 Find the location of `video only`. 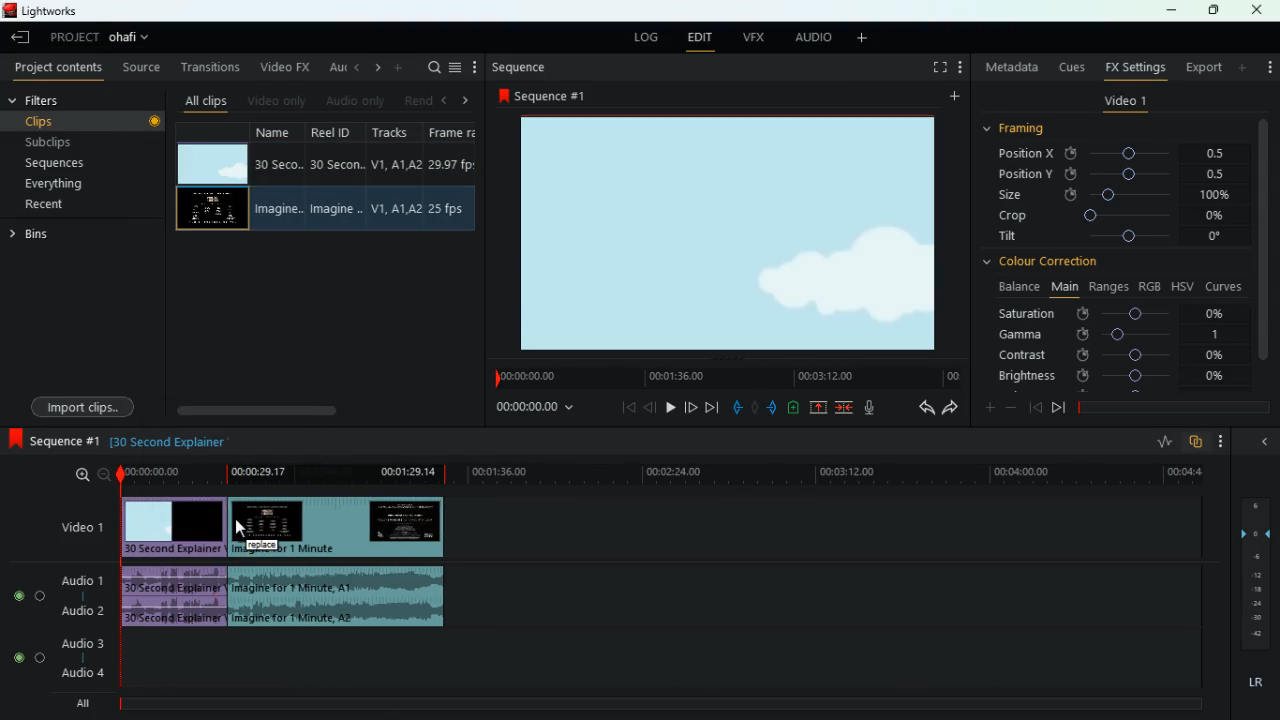

video only is located at coordinates (277, 100).